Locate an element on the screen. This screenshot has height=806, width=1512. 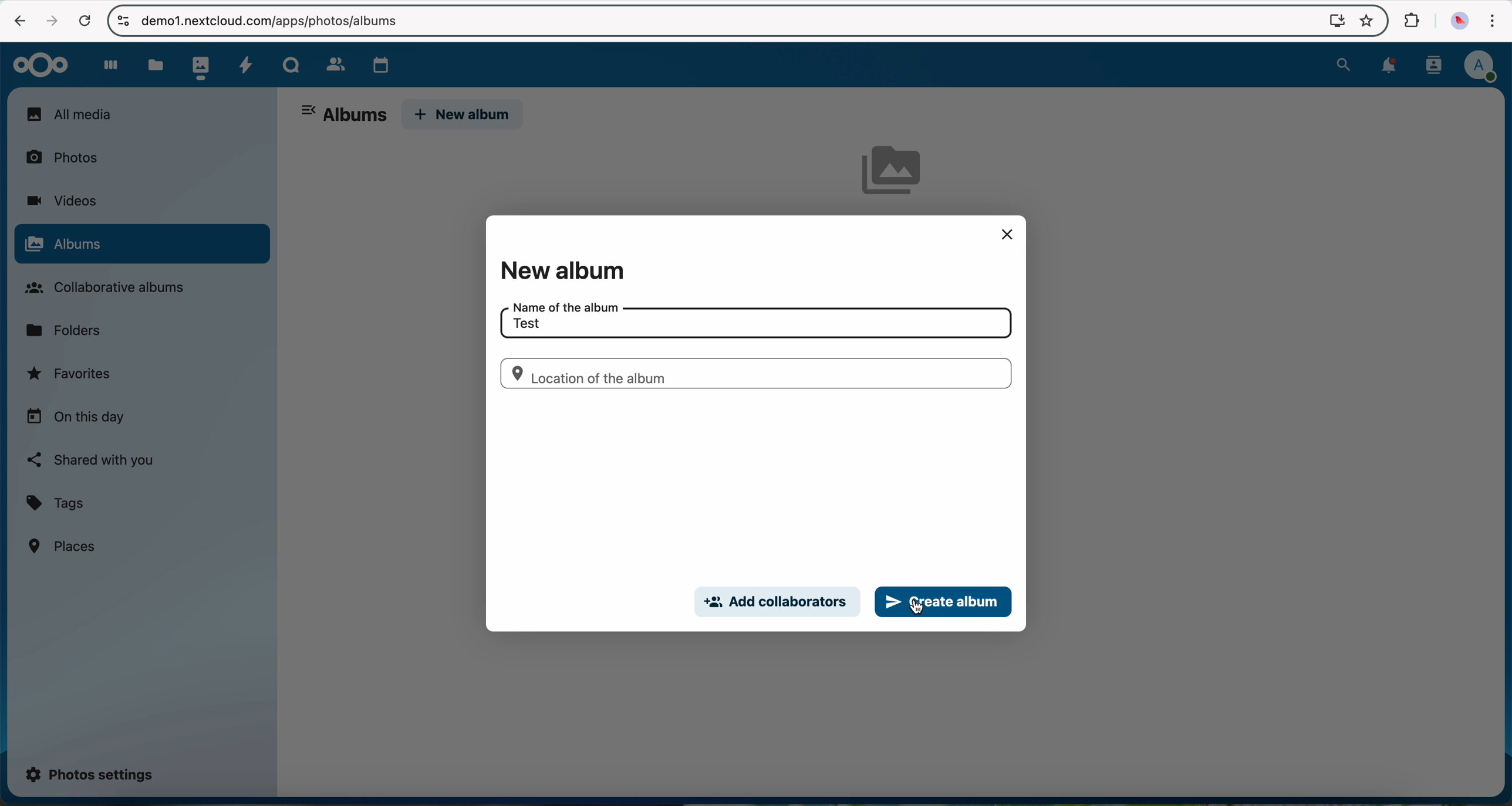
albums is located at coordinates (355, 116).